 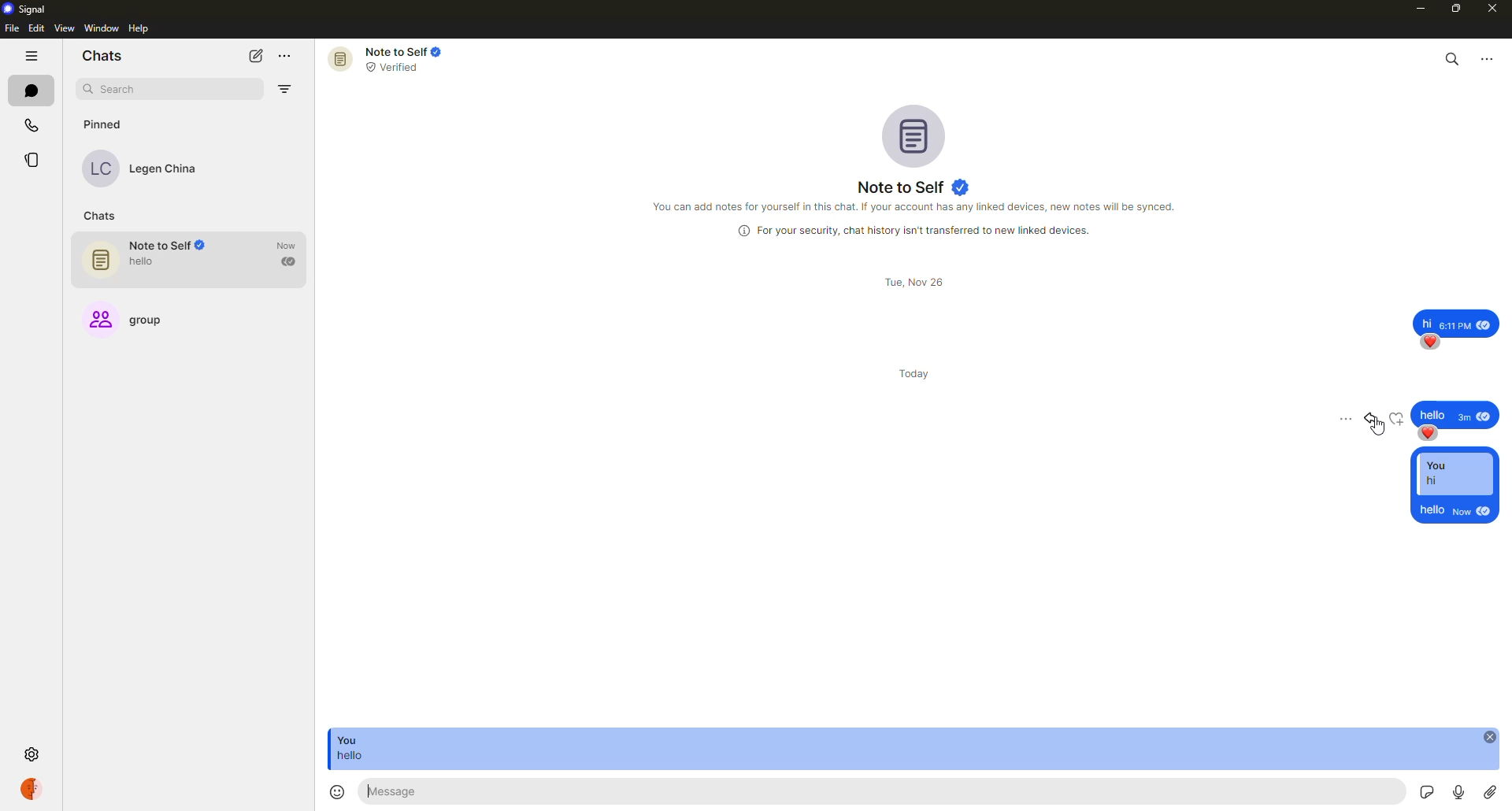 I want to click on calls, so click(x=34, y=122).